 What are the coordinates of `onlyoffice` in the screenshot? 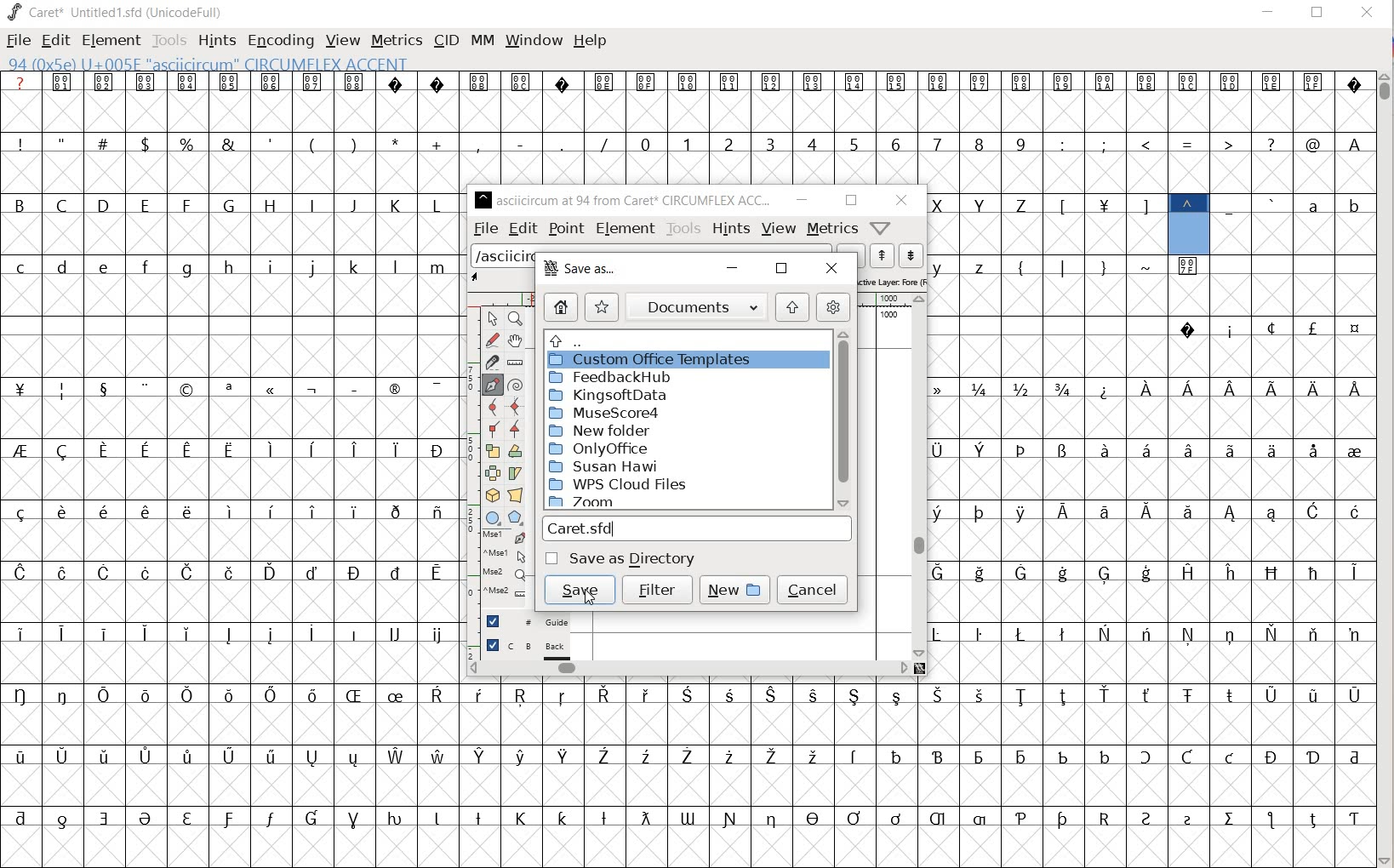 It's located at (602, 449).